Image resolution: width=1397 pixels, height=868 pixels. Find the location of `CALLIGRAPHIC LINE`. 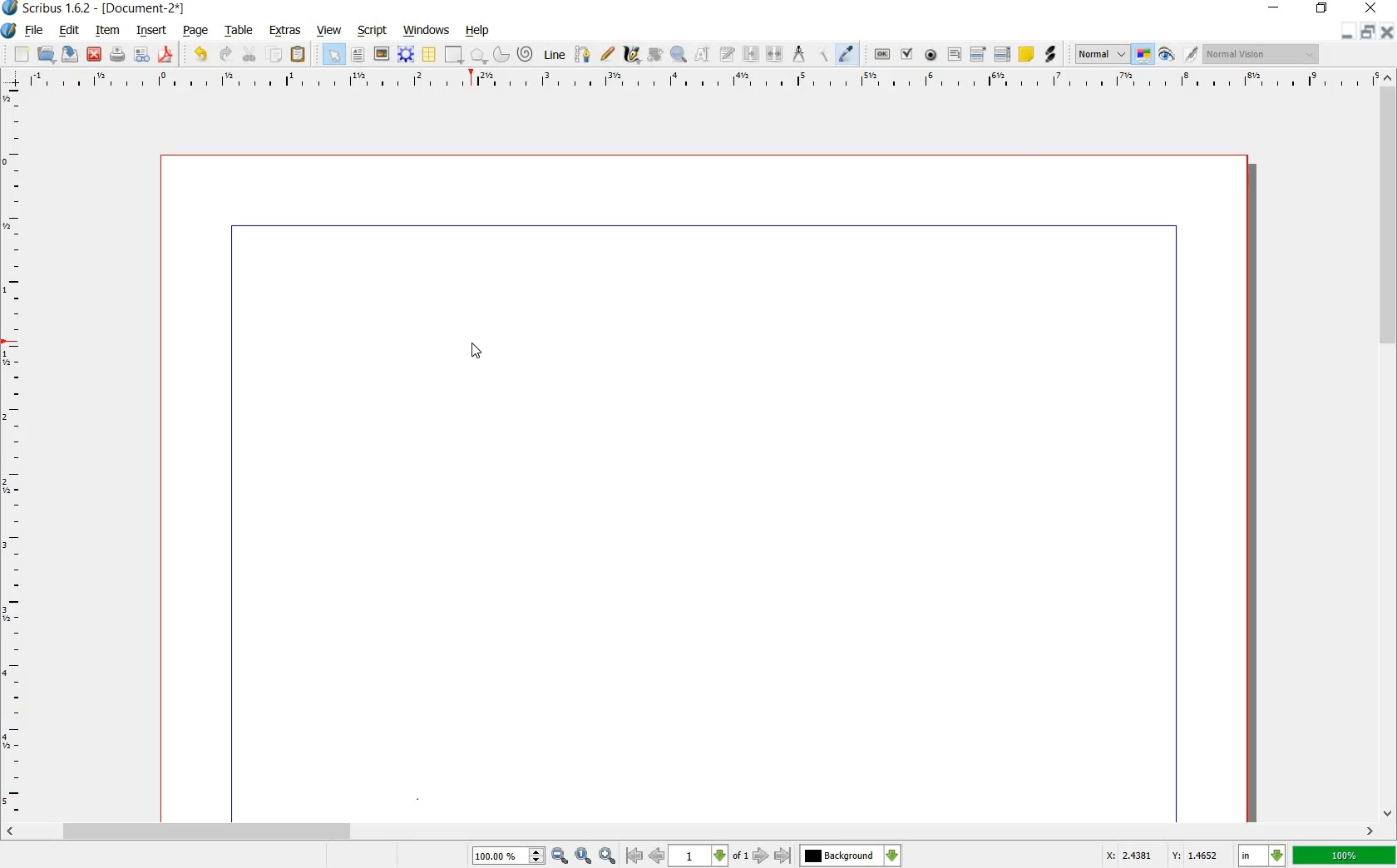

CALLIGRAPHIC LINE is located at coordinates (630, 54).